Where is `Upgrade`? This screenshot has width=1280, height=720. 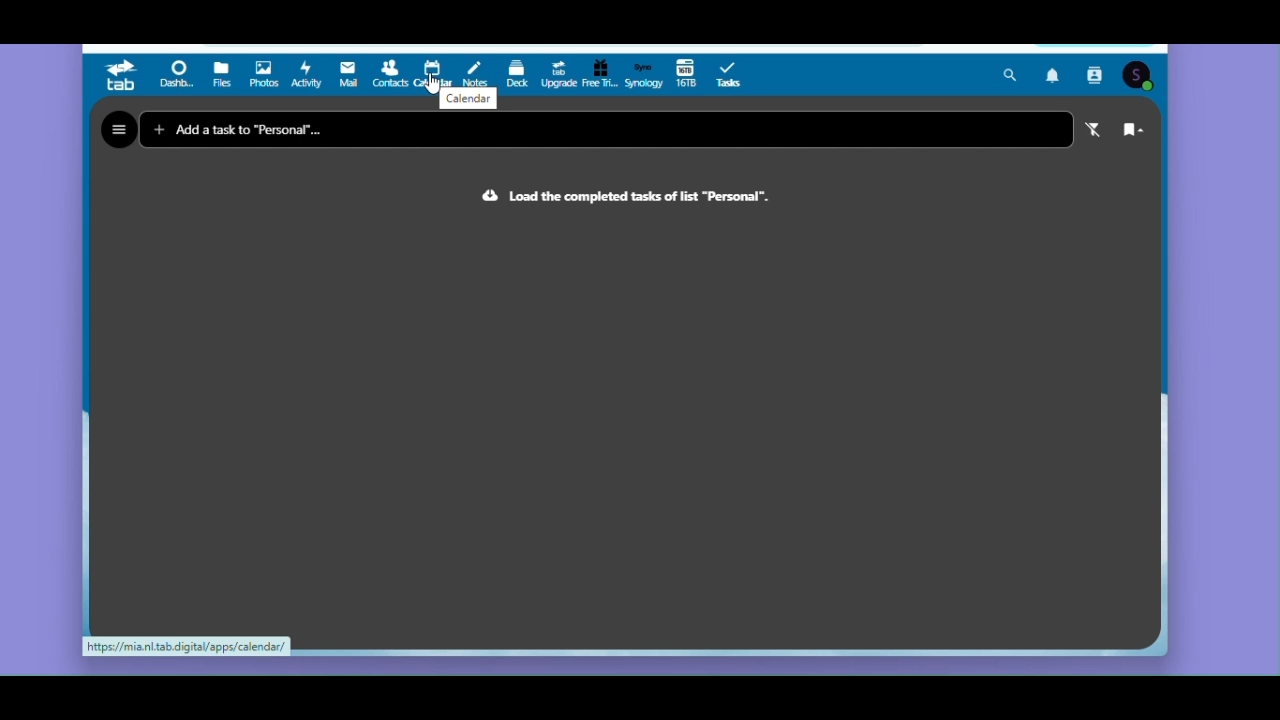
Upgrade is located at coordinates (557, 74).